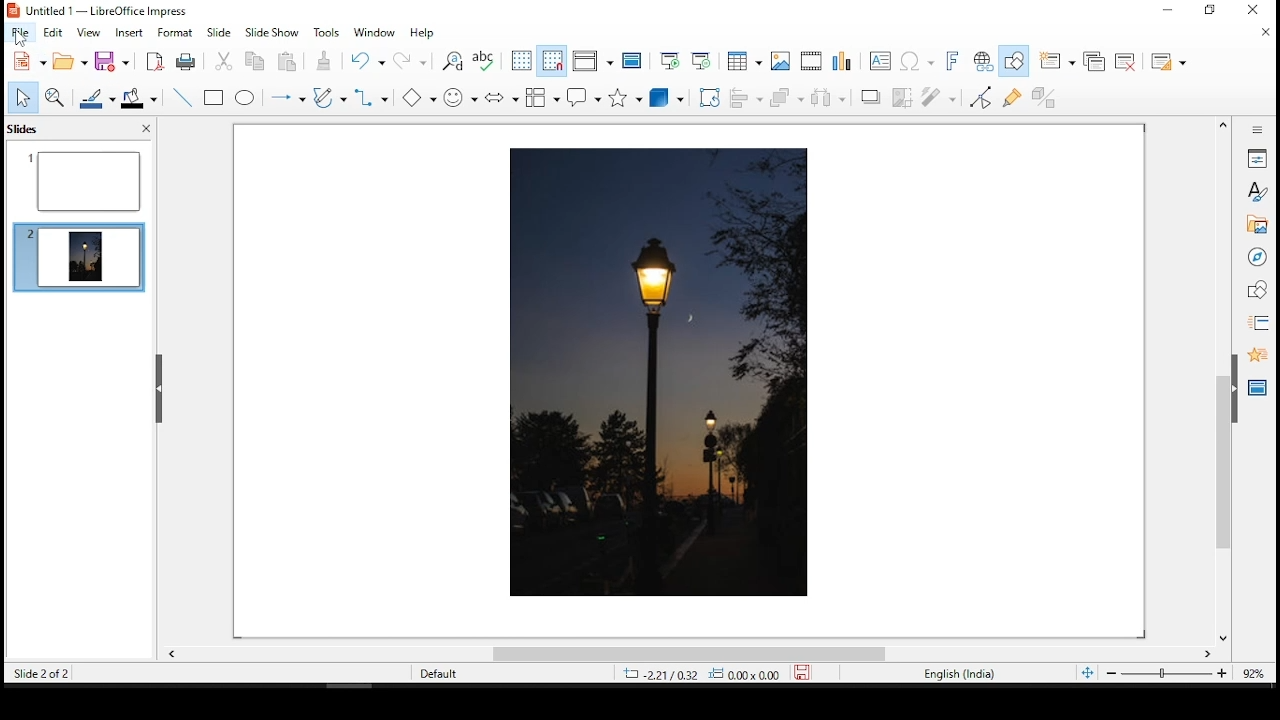 The width and height of the screenshot is (1280, 720). I want to click on images, so click(779, 59).